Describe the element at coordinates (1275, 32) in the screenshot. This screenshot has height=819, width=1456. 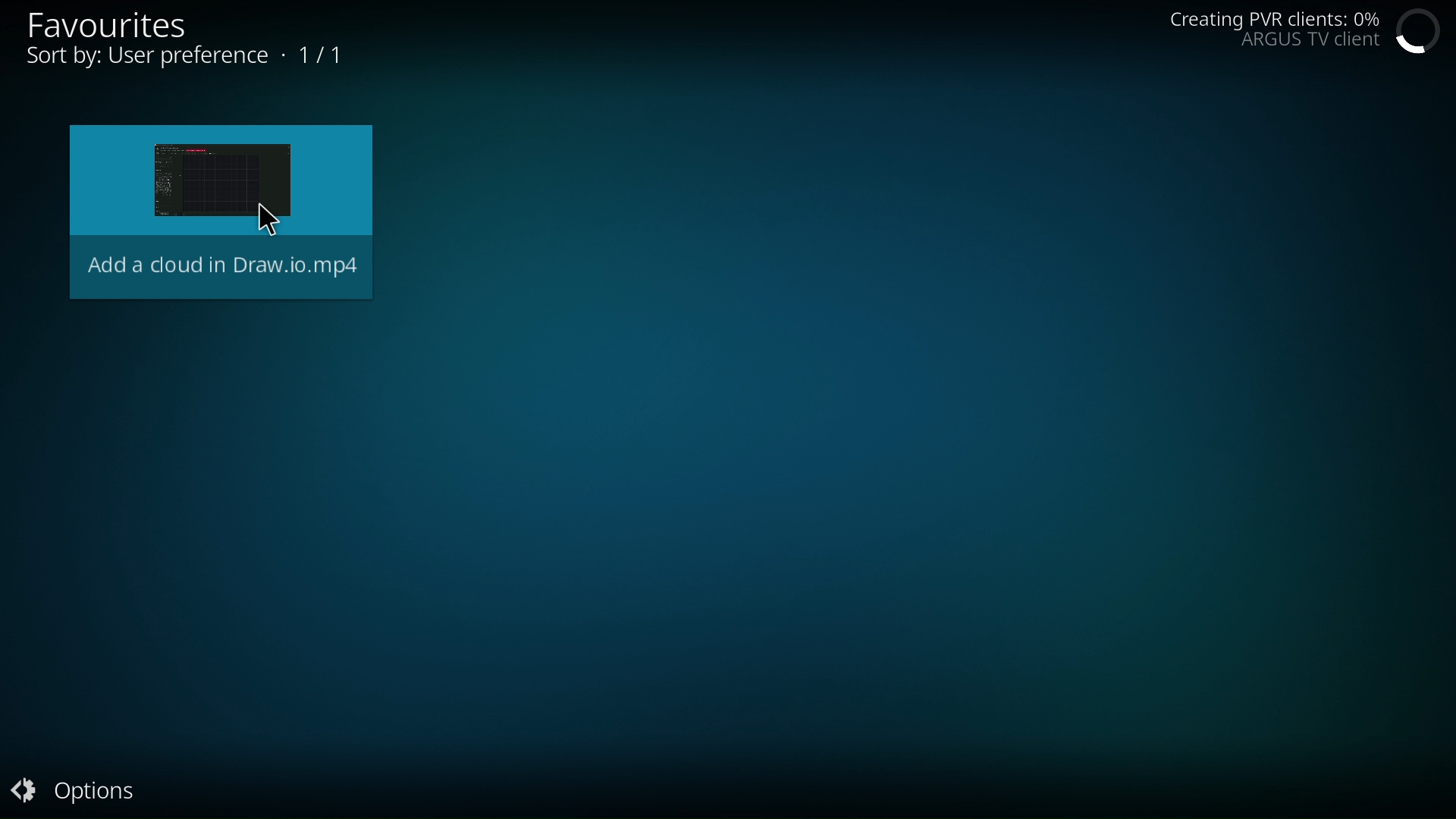
I see `Creating PVR clients: 0%
ARGUS TV client` at that location.